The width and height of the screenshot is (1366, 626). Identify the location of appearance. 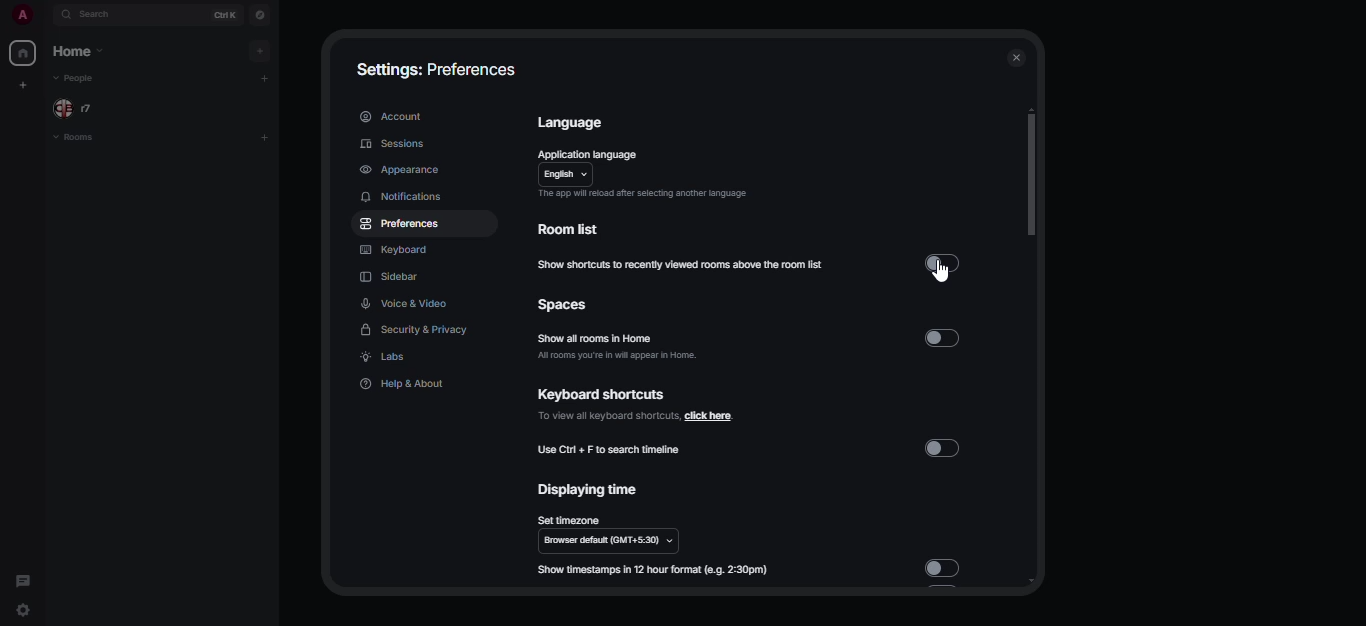
(400, 170).